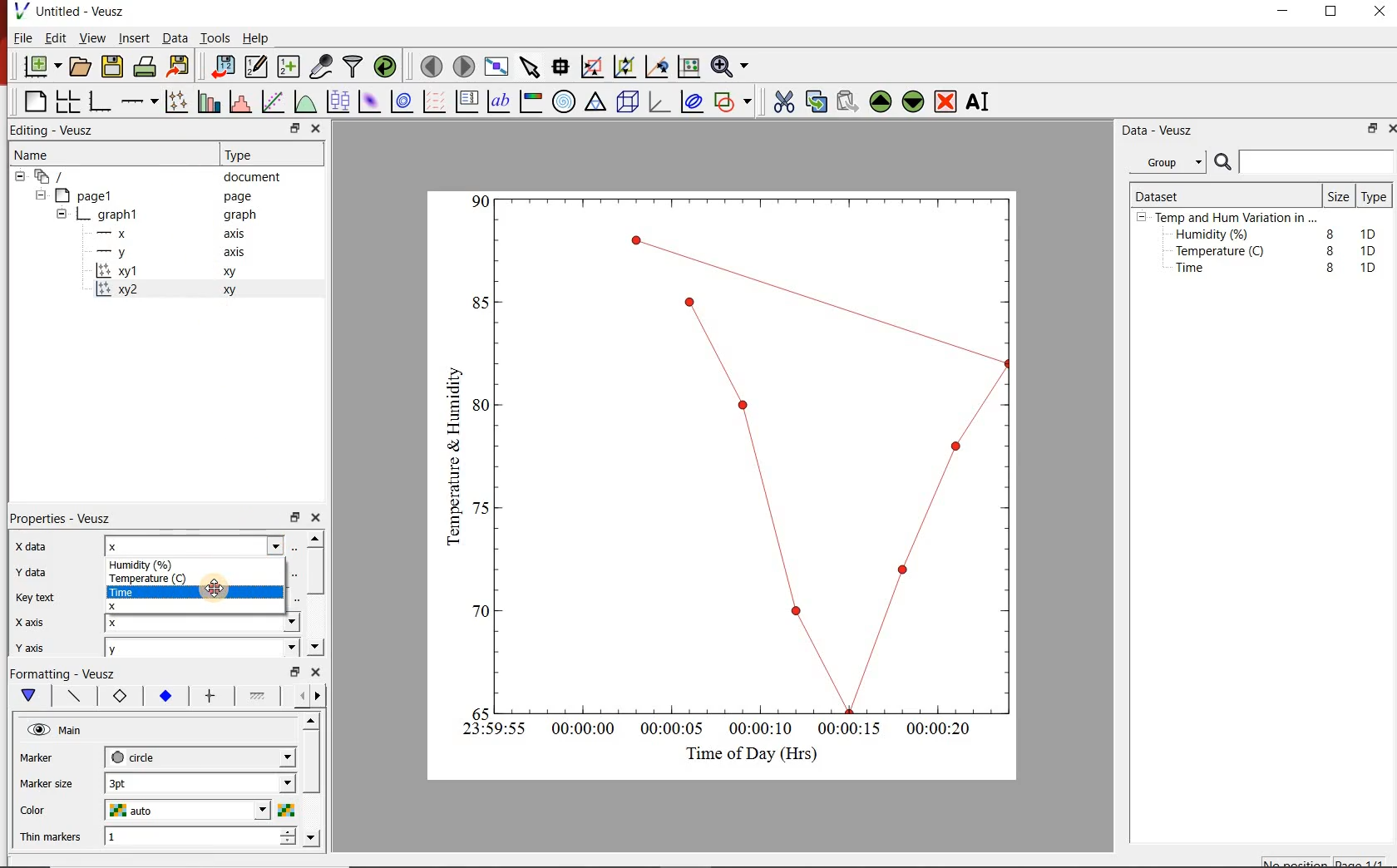 The image size is (1397, 868). What do you see at coordinates (1223, 253) in the screenshot?
I see `Temperature (C)` at bounding box center [1223, 253].